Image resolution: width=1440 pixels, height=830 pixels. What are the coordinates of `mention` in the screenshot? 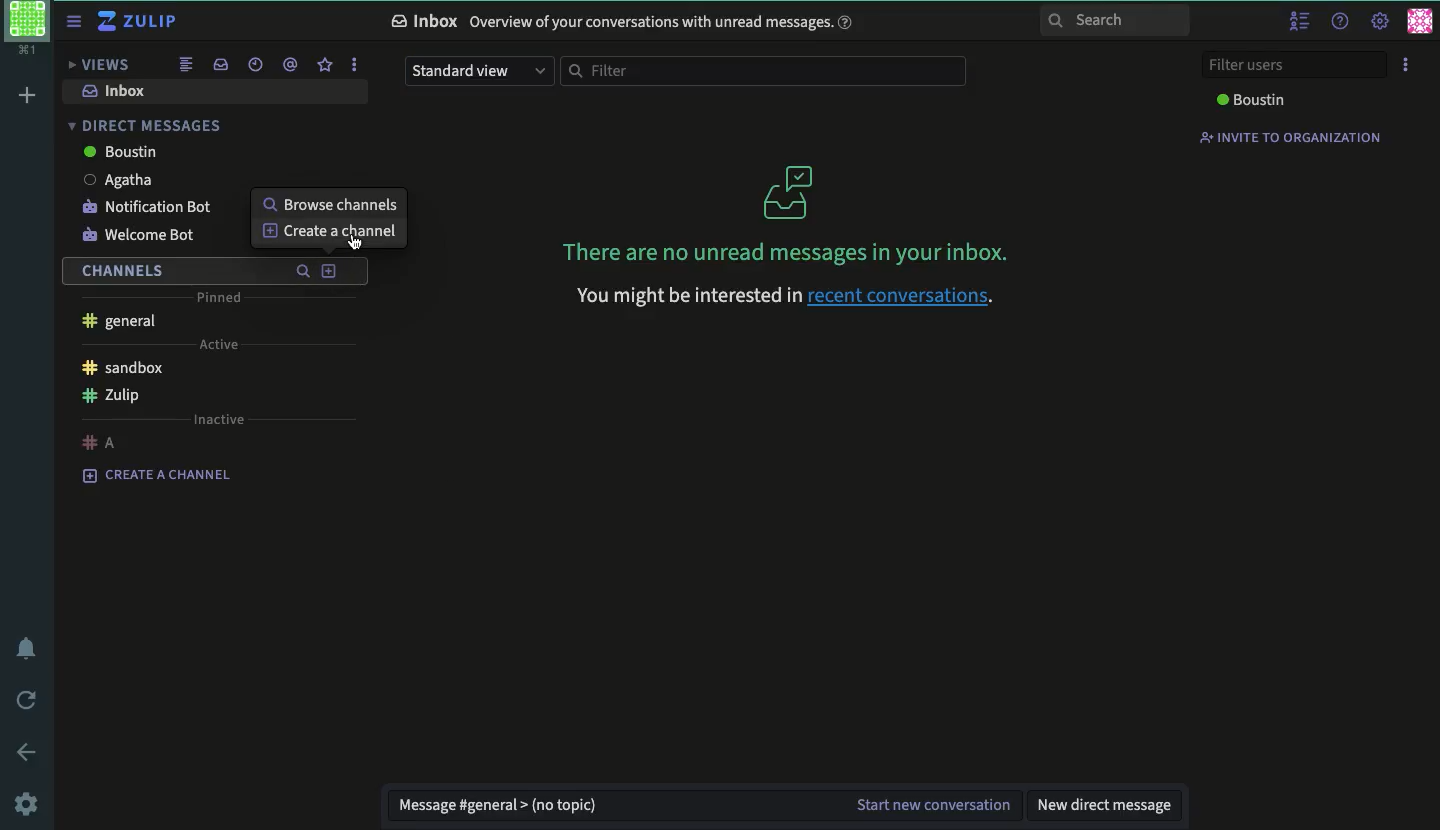 It's located at (288, 64).